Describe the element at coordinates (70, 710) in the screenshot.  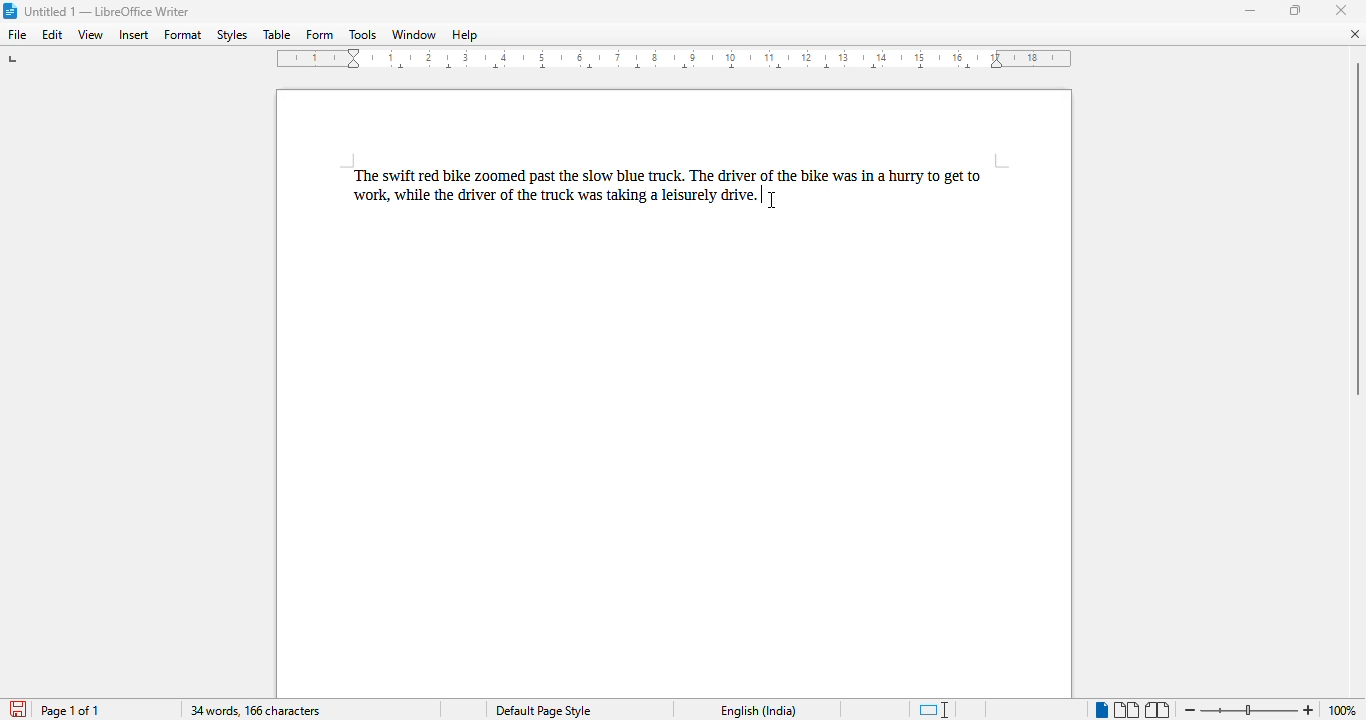
I see `page 1 of 1` at that location.